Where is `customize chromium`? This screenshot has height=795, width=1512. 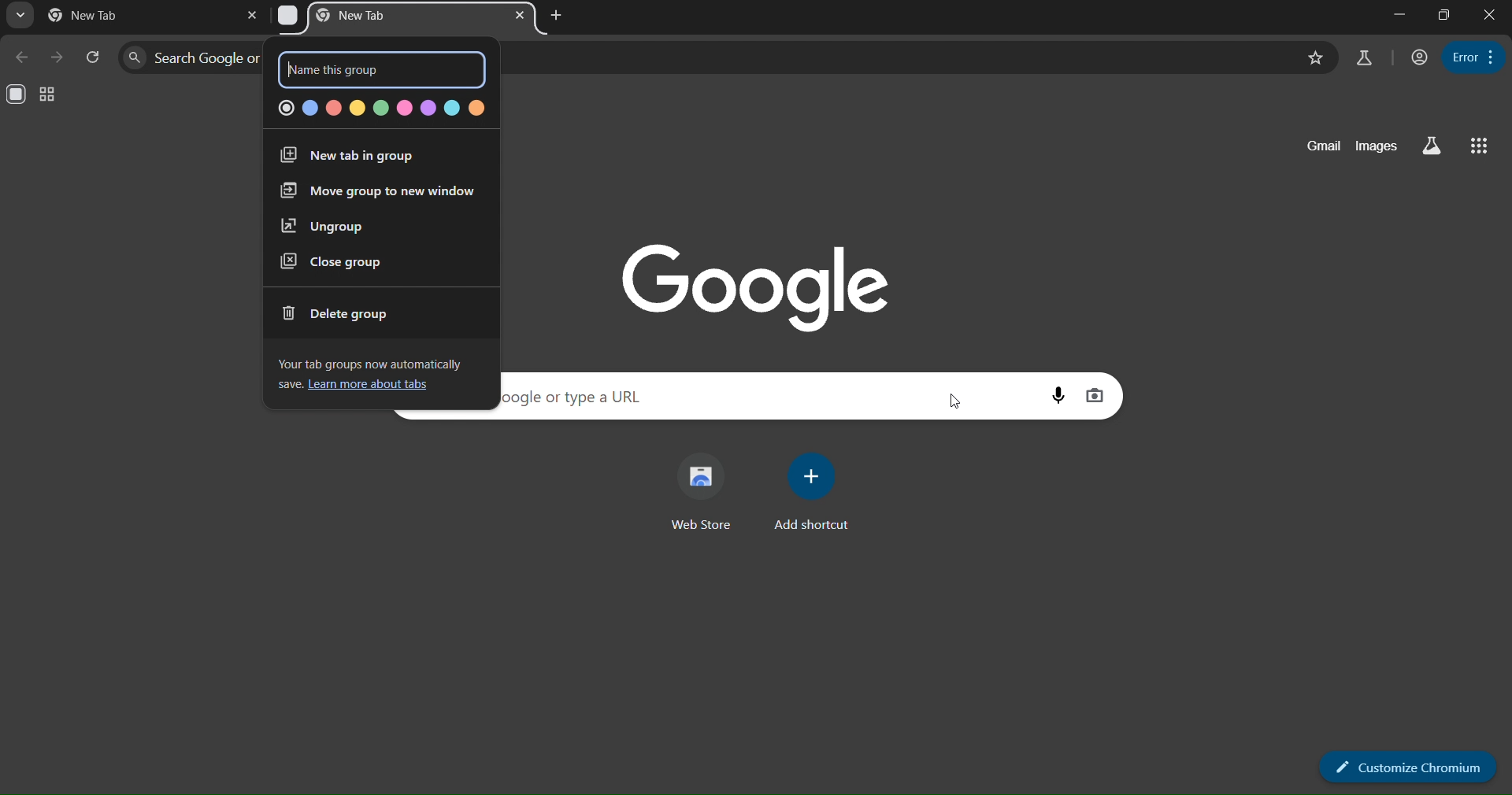
customize chromium is located at coordinates (1406, 767).